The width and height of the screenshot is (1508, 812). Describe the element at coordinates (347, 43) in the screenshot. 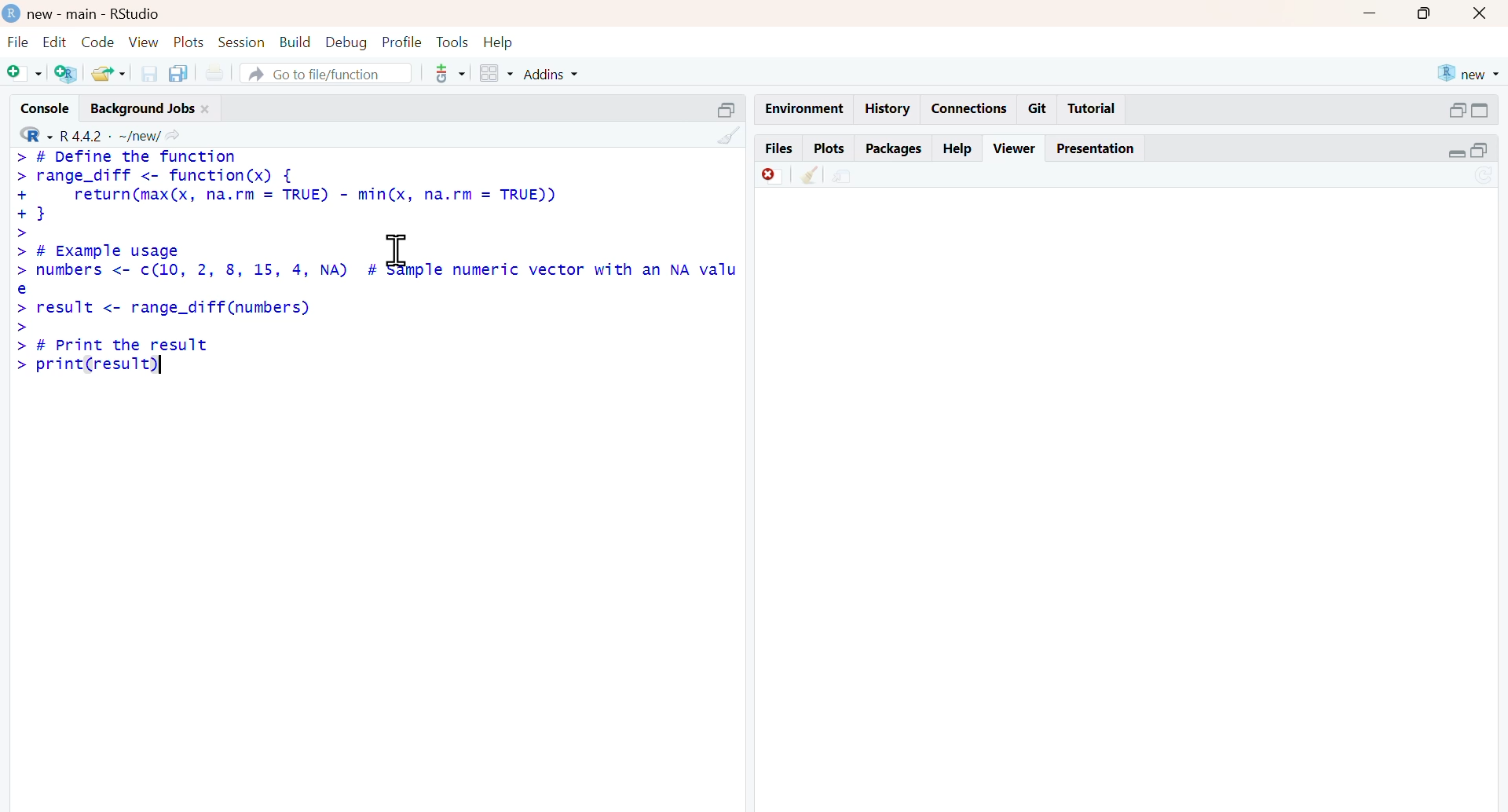

I see `debug` at that location.